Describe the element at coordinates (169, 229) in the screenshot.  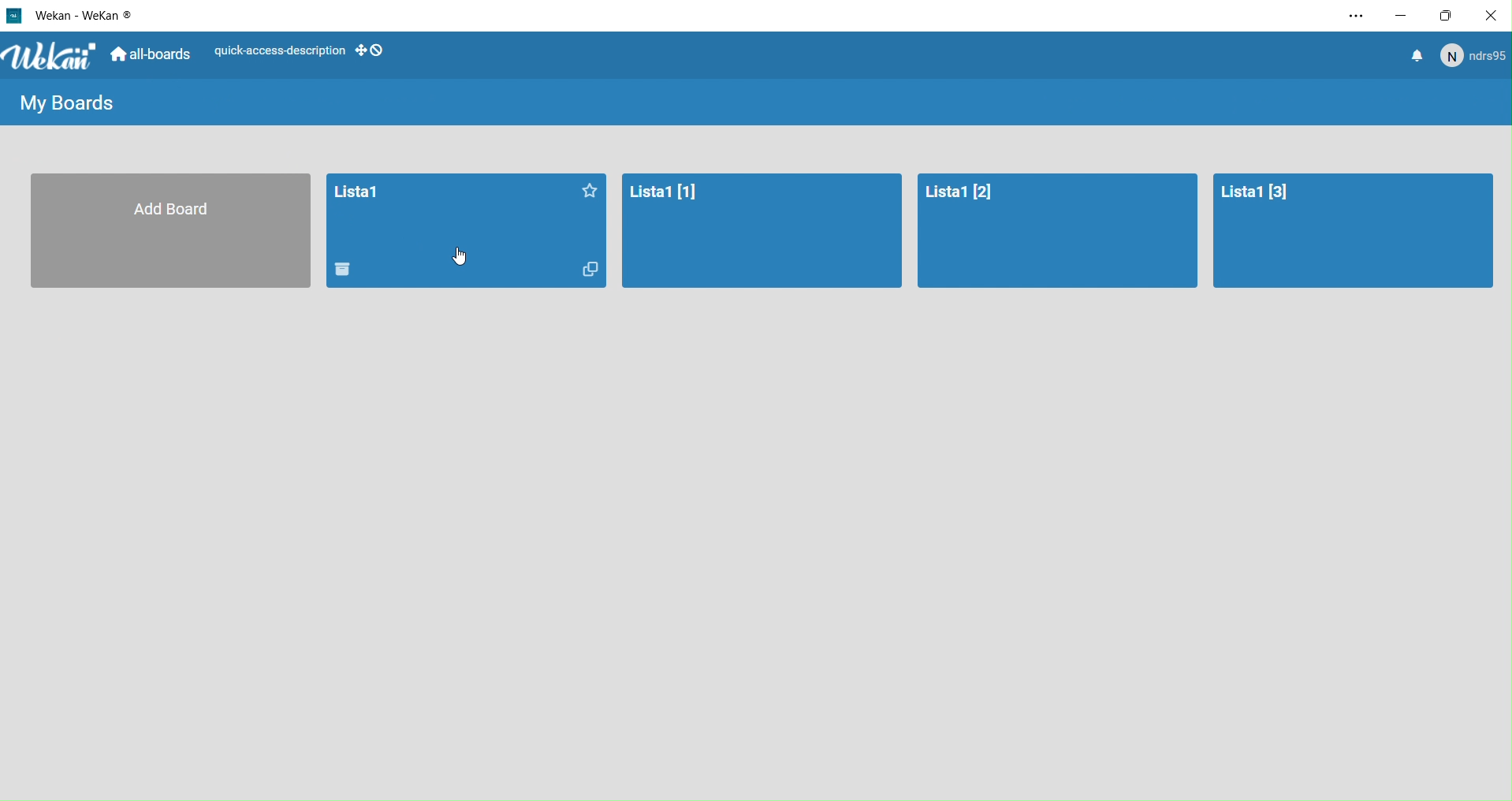
I see `Add a board` at that location.